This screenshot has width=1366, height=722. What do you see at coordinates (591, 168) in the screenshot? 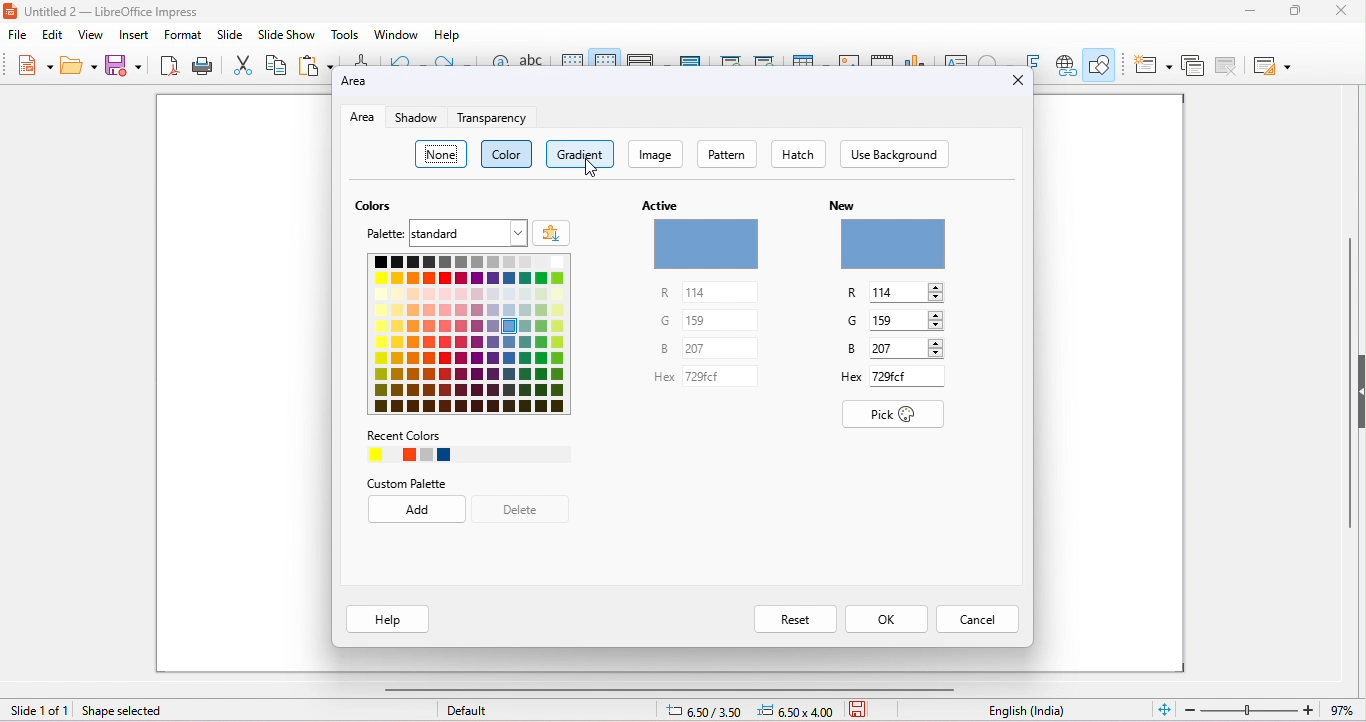
I see `cursor movement` at bounding box center [591, 168].